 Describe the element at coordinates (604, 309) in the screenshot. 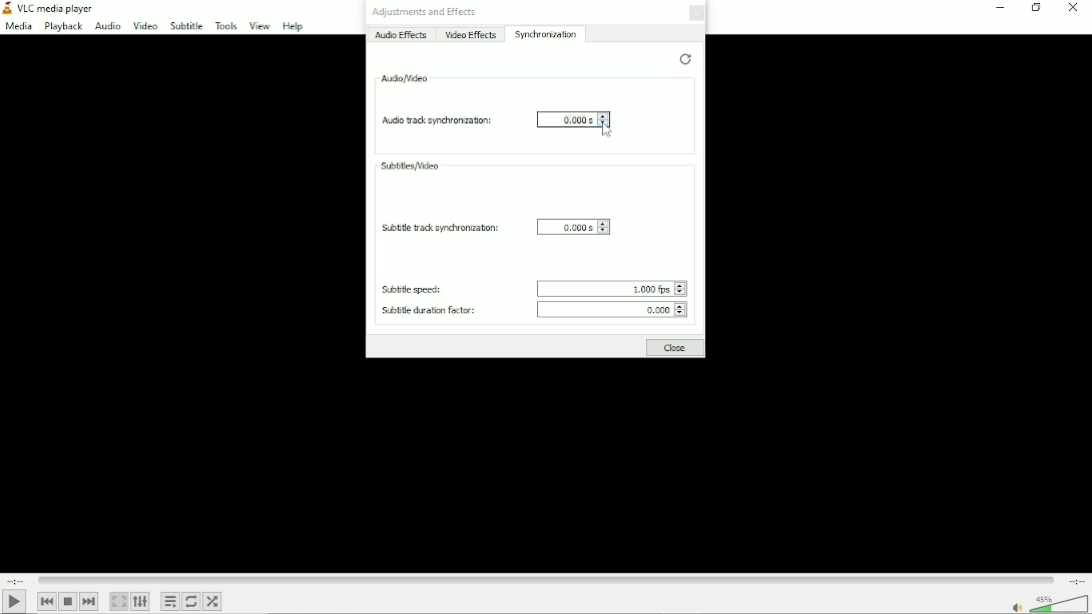

I see `set Subtitle duration factor` at that location.